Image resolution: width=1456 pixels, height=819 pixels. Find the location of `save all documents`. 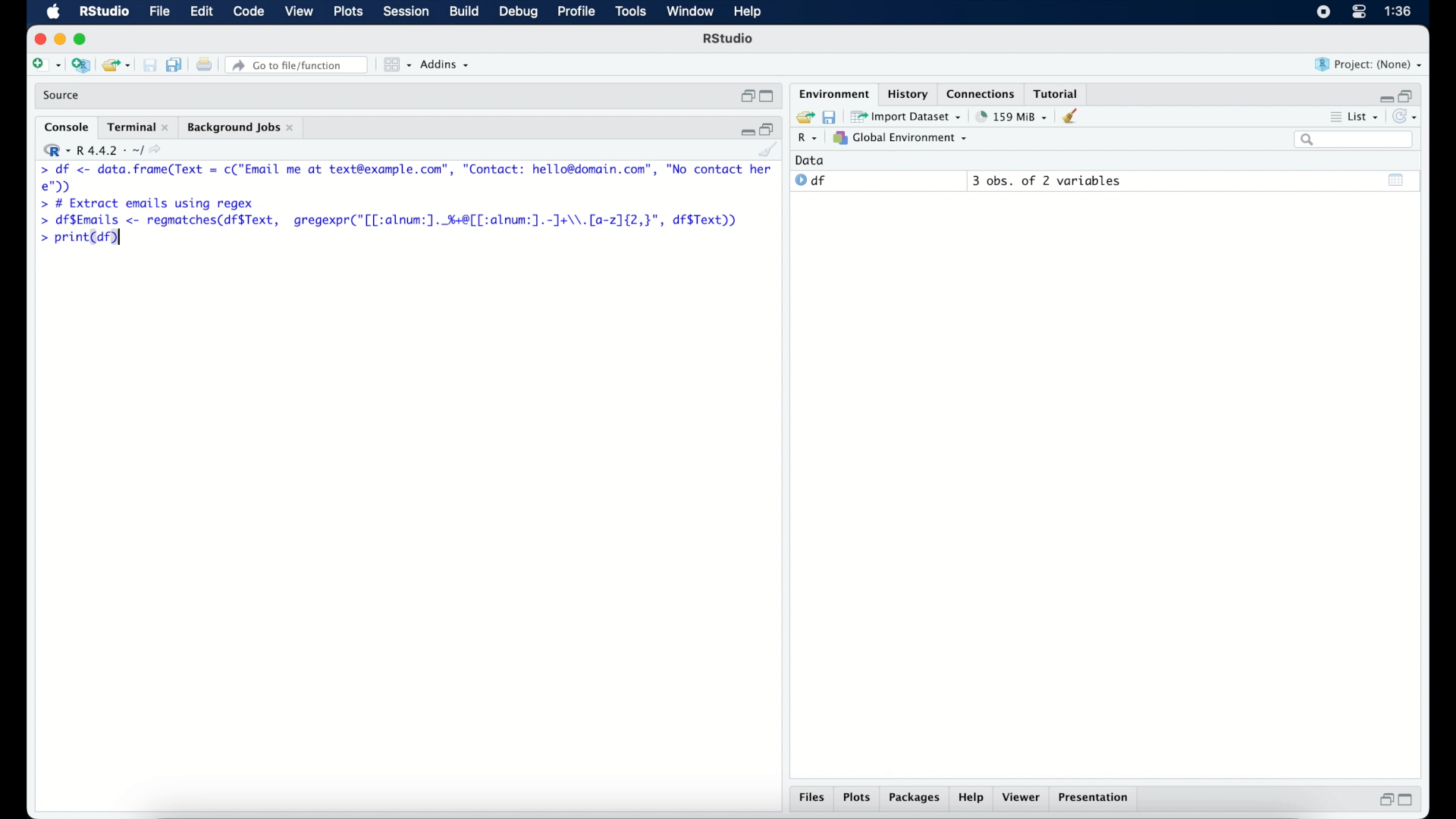

save all documents is located at coordinates (174, 64).